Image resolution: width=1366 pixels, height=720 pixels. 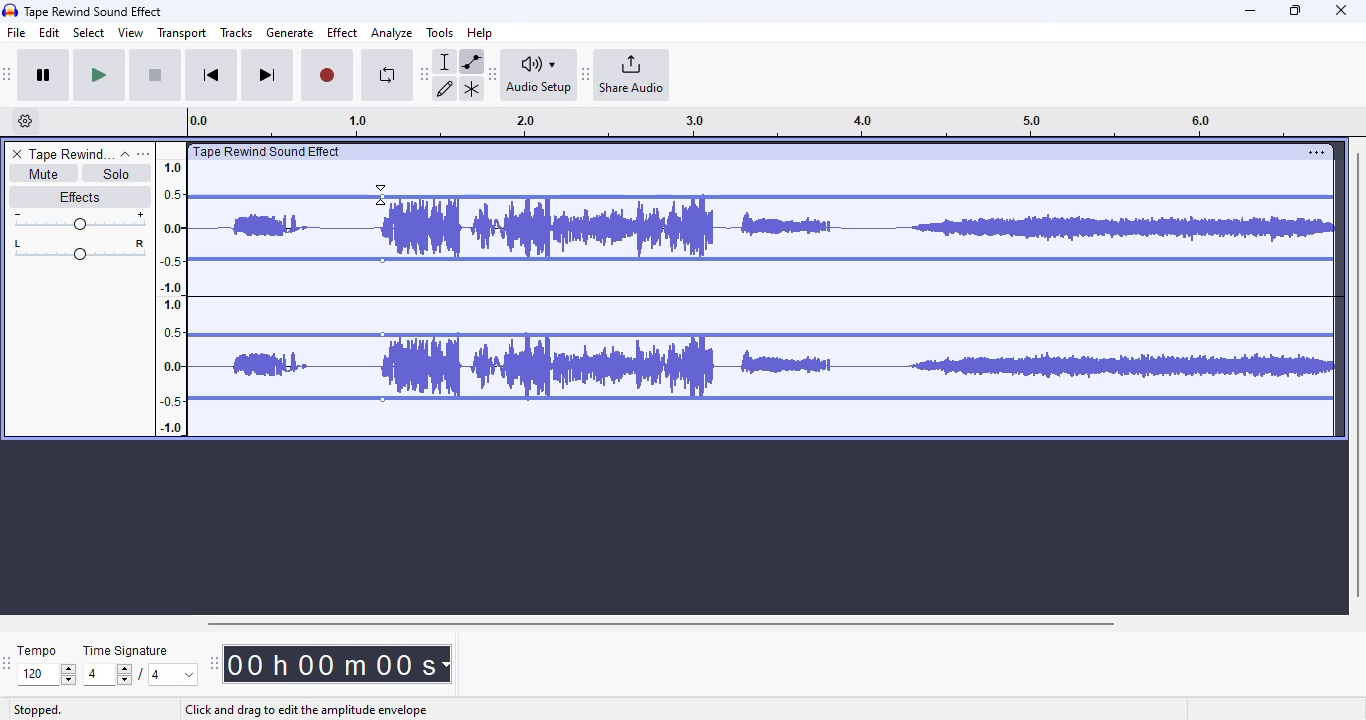 I want to click on Move audacity share audio toolbar, so click(x=586, y=75).